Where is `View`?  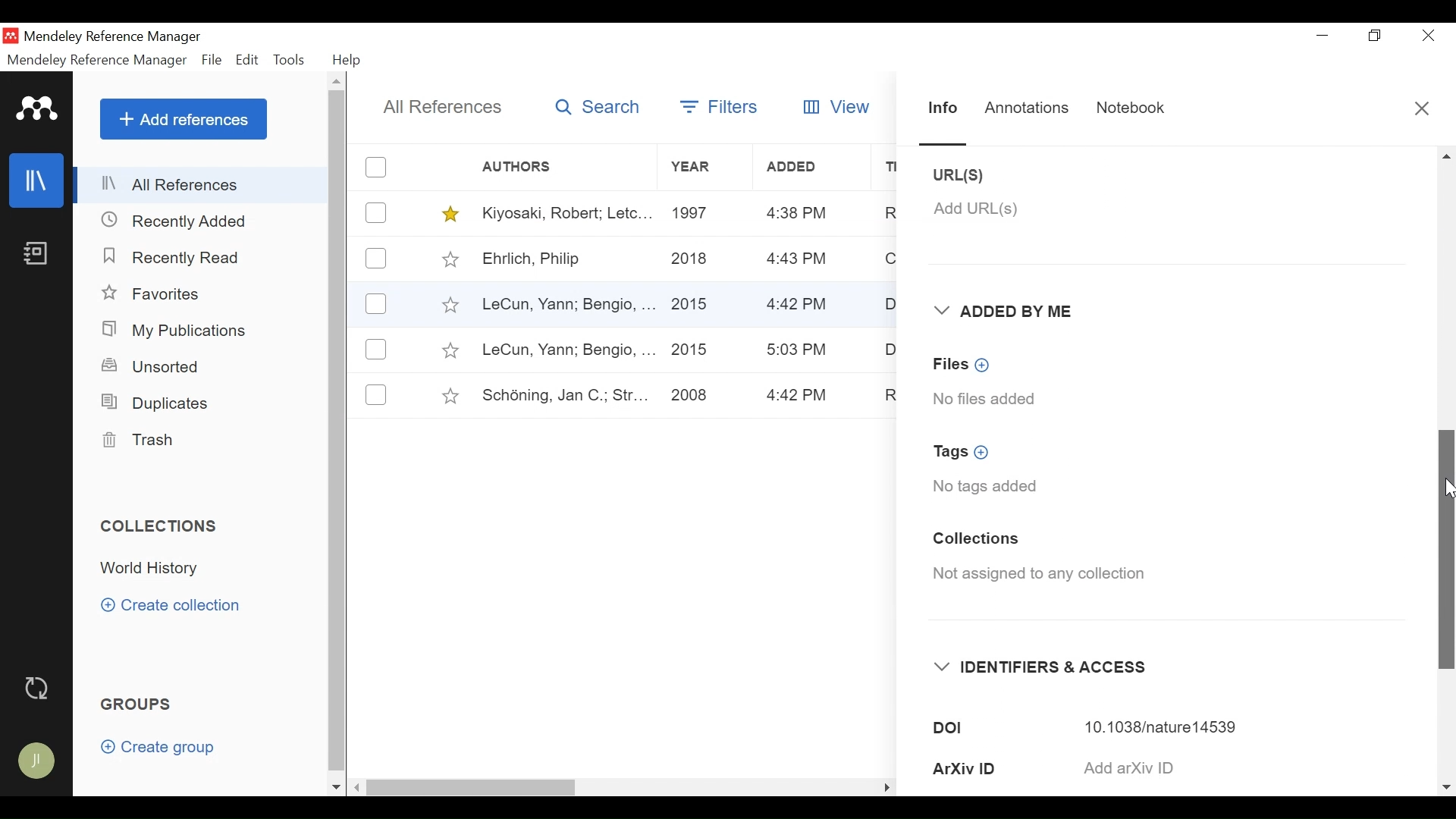
View is located at coordinates (831, 107).